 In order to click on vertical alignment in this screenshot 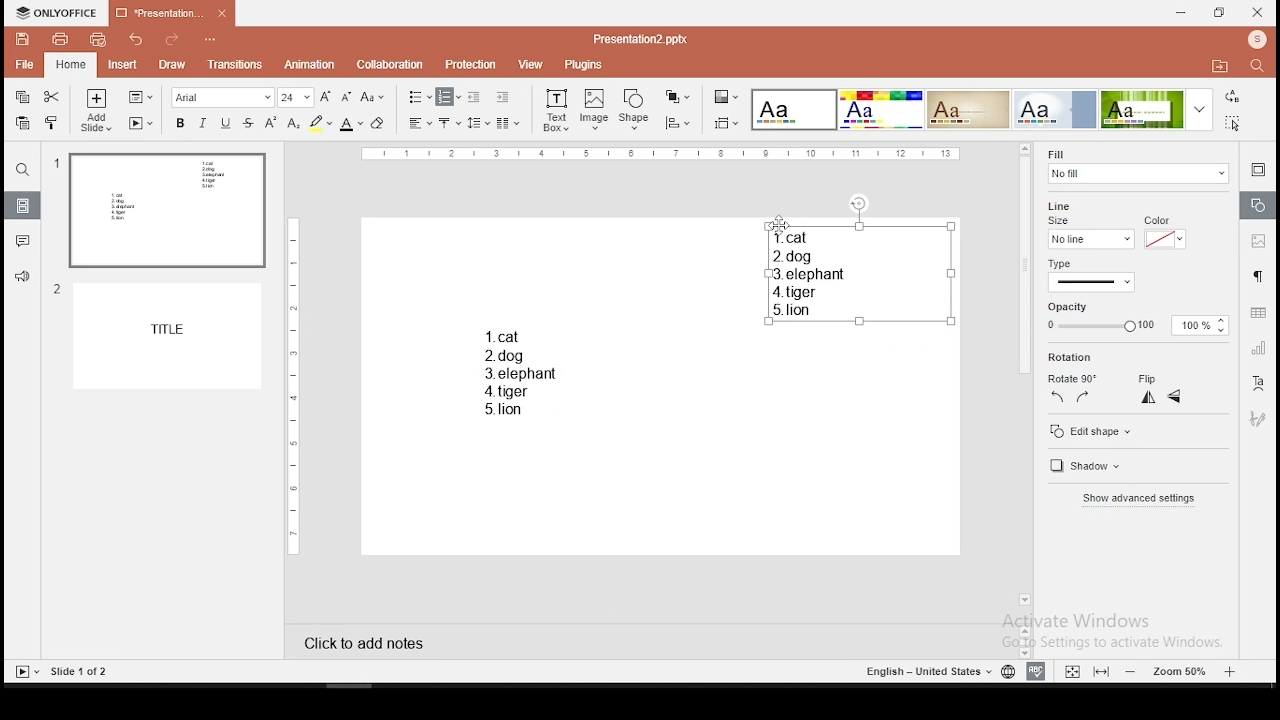, I will do `click(451, 122)`.